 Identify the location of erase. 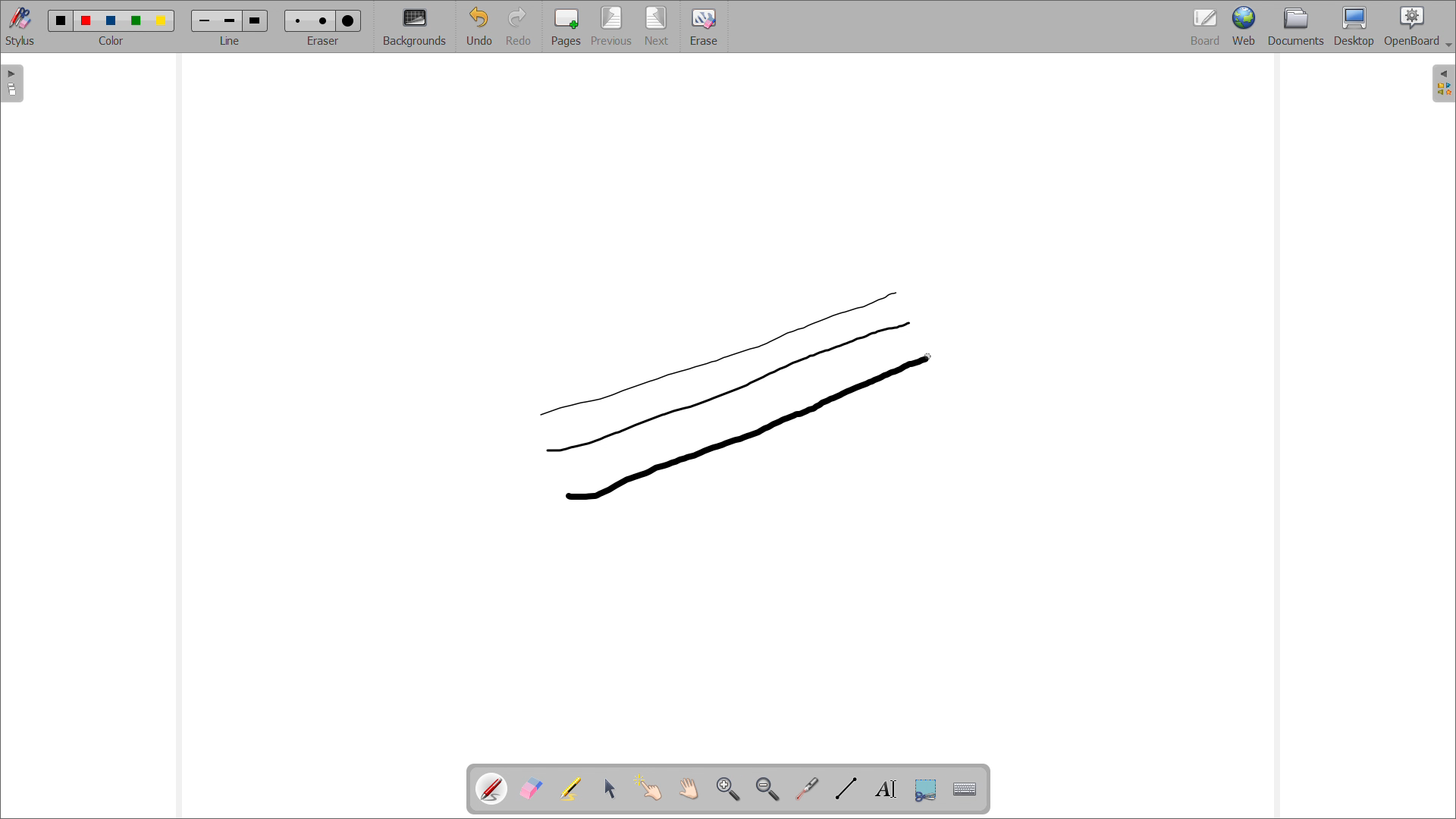
(704, 27).